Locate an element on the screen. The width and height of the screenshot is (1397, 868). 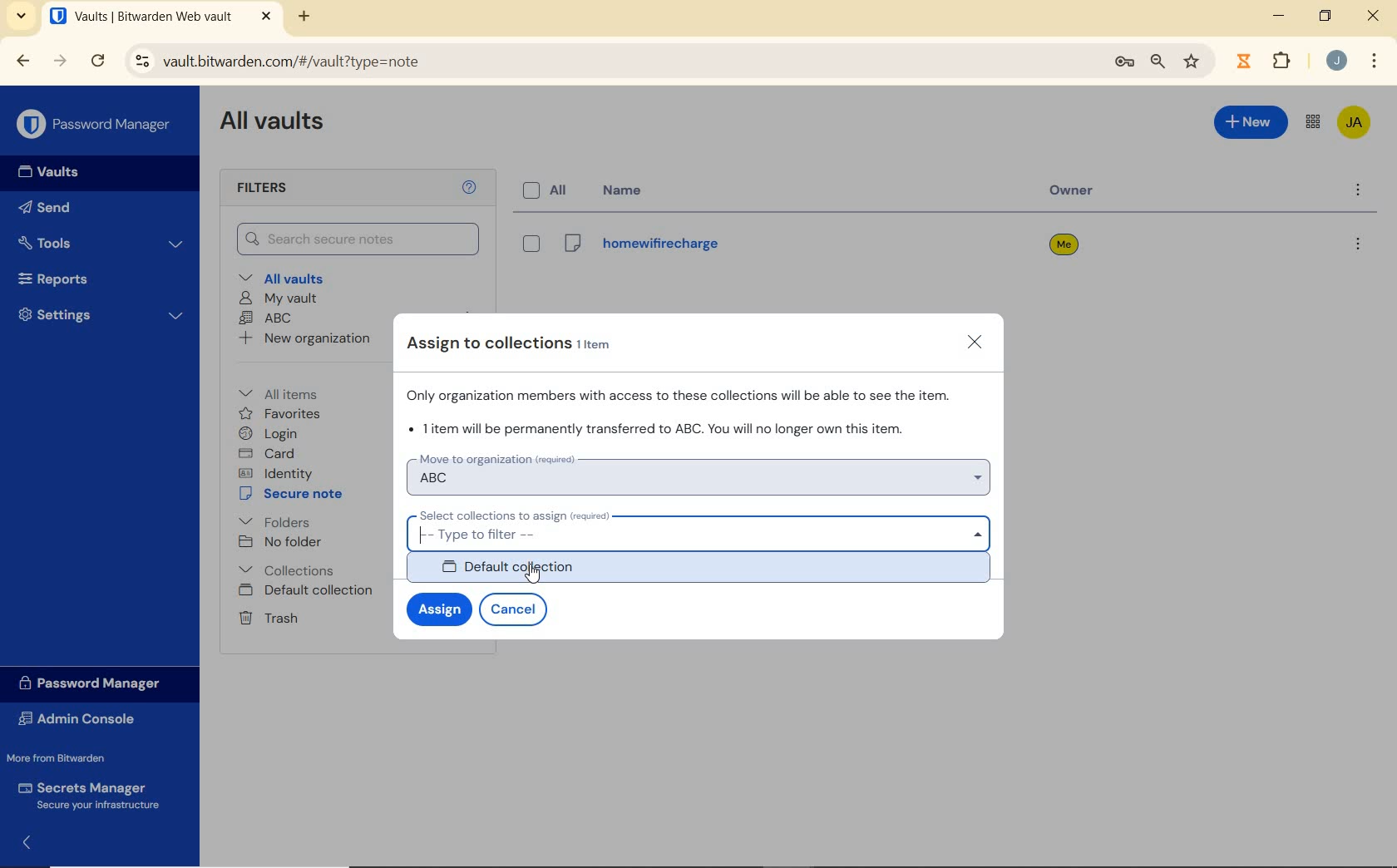
Login Name is located at coordinates (640, 248).